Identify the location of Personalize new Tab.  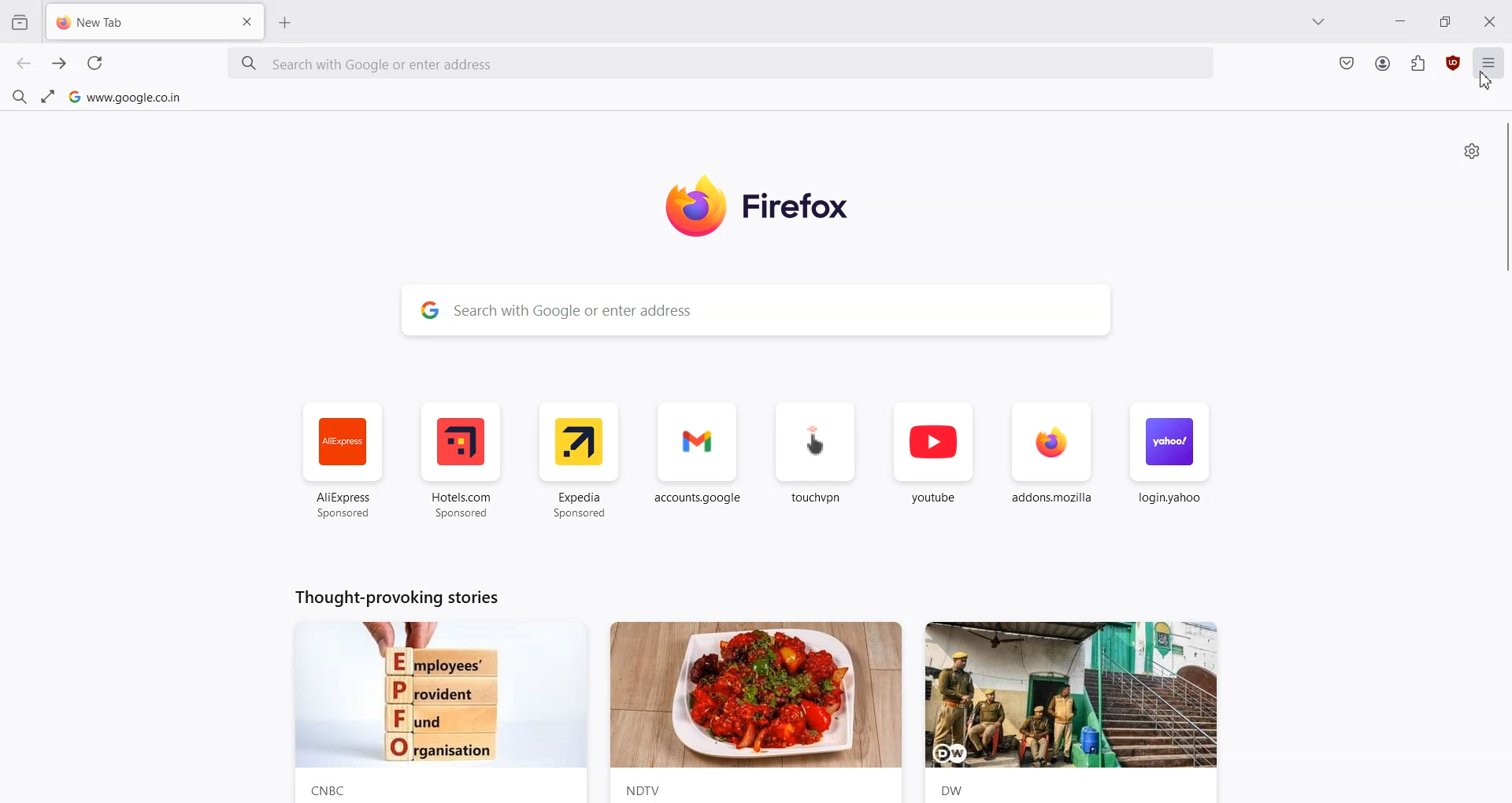
(1473, 151).